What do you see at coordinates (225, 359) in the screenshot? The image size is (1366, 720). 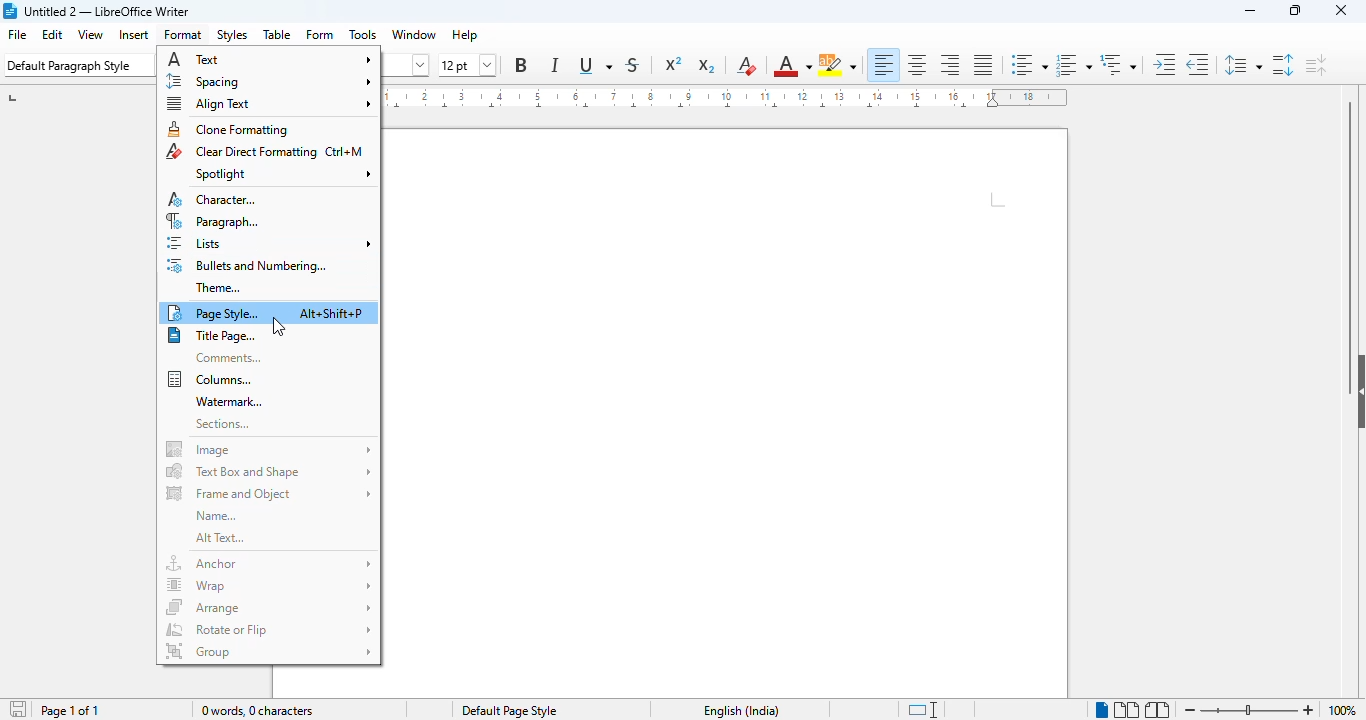 I see `comments` at bounding box center [225, 359].